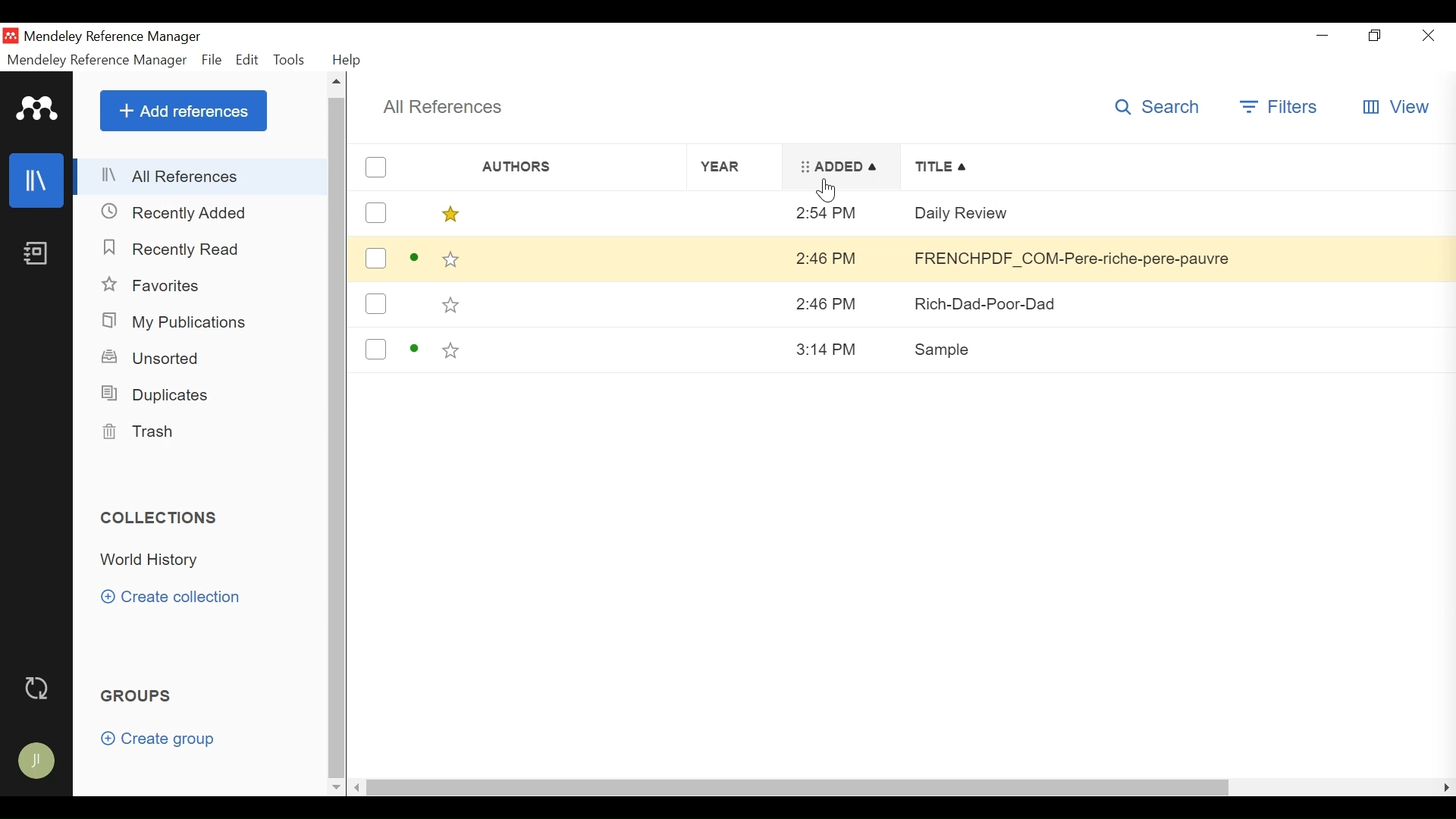 This screenshot has height=819, width=1456. What do you see at coordinates (1279, 109) in the screenshot?
I see `Filter` at bounding box center [1279, 109].